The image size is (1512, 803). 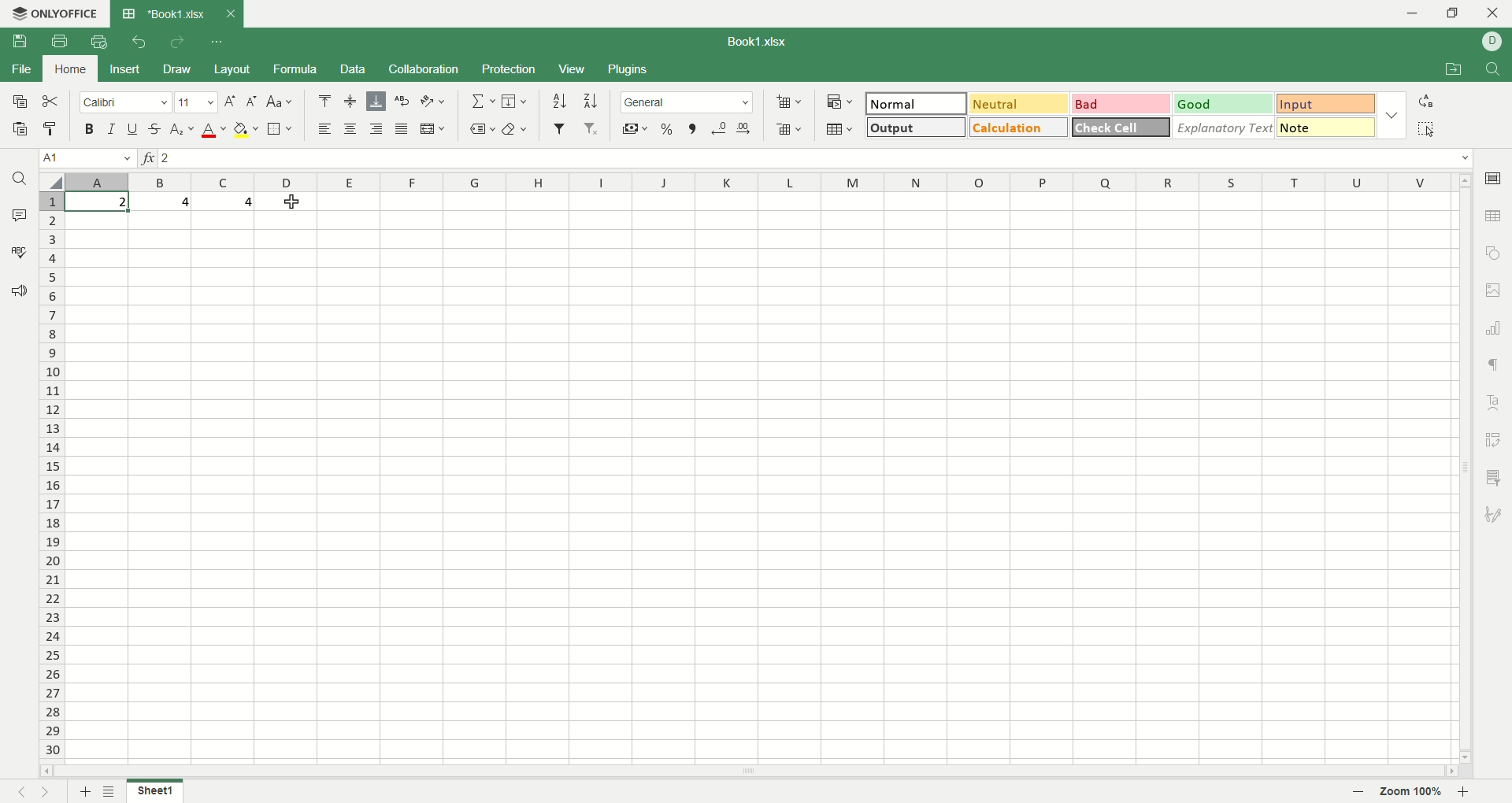 What do you see at coordinates (1457, 13) in the screenshot?
I see `maximize` at bounding box center [1457, 13].